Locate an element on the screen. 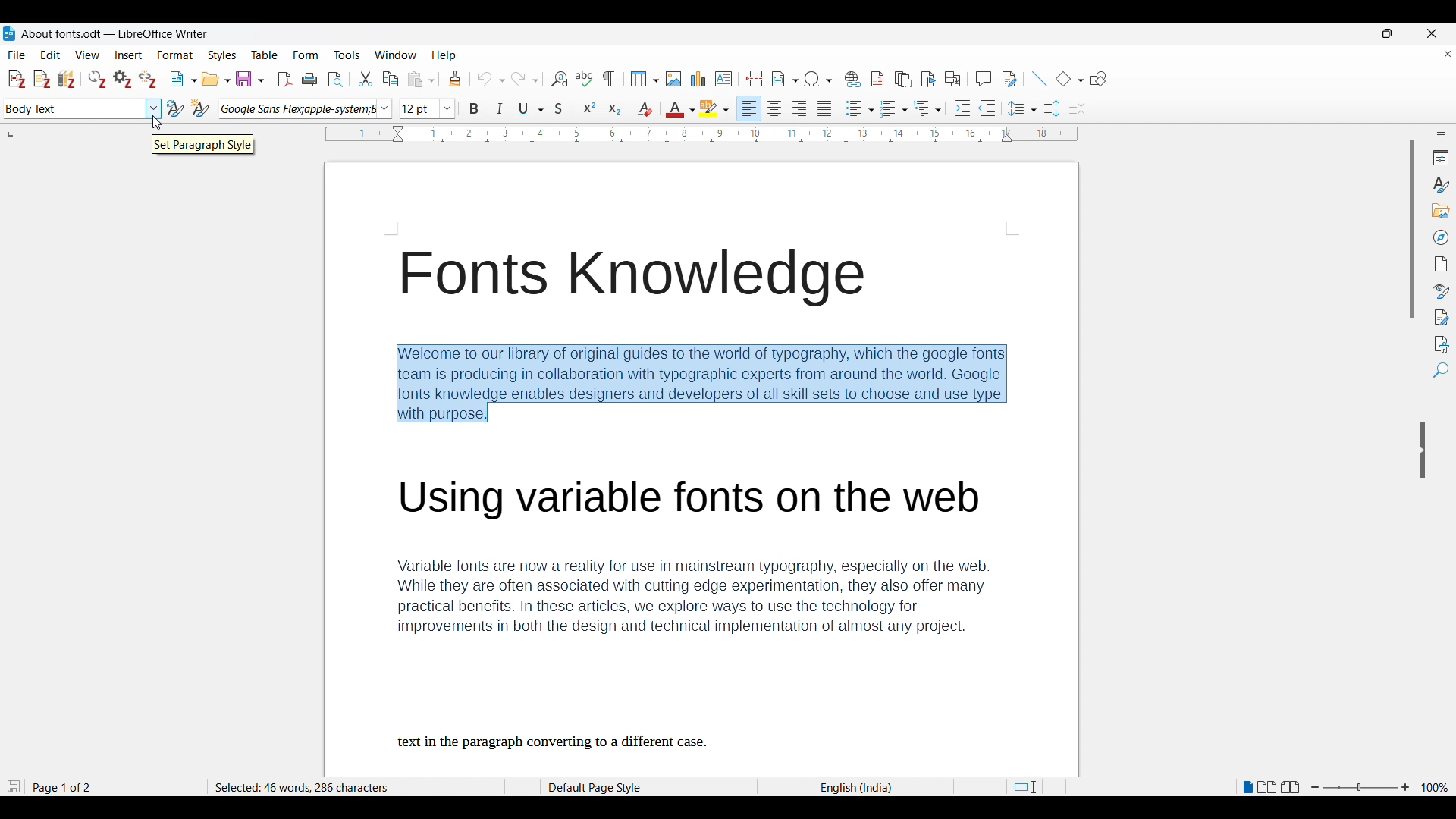 Image resolution: width=1456 pixels, height=819 pixels. Navigator is located at coordinates (1442, 237).